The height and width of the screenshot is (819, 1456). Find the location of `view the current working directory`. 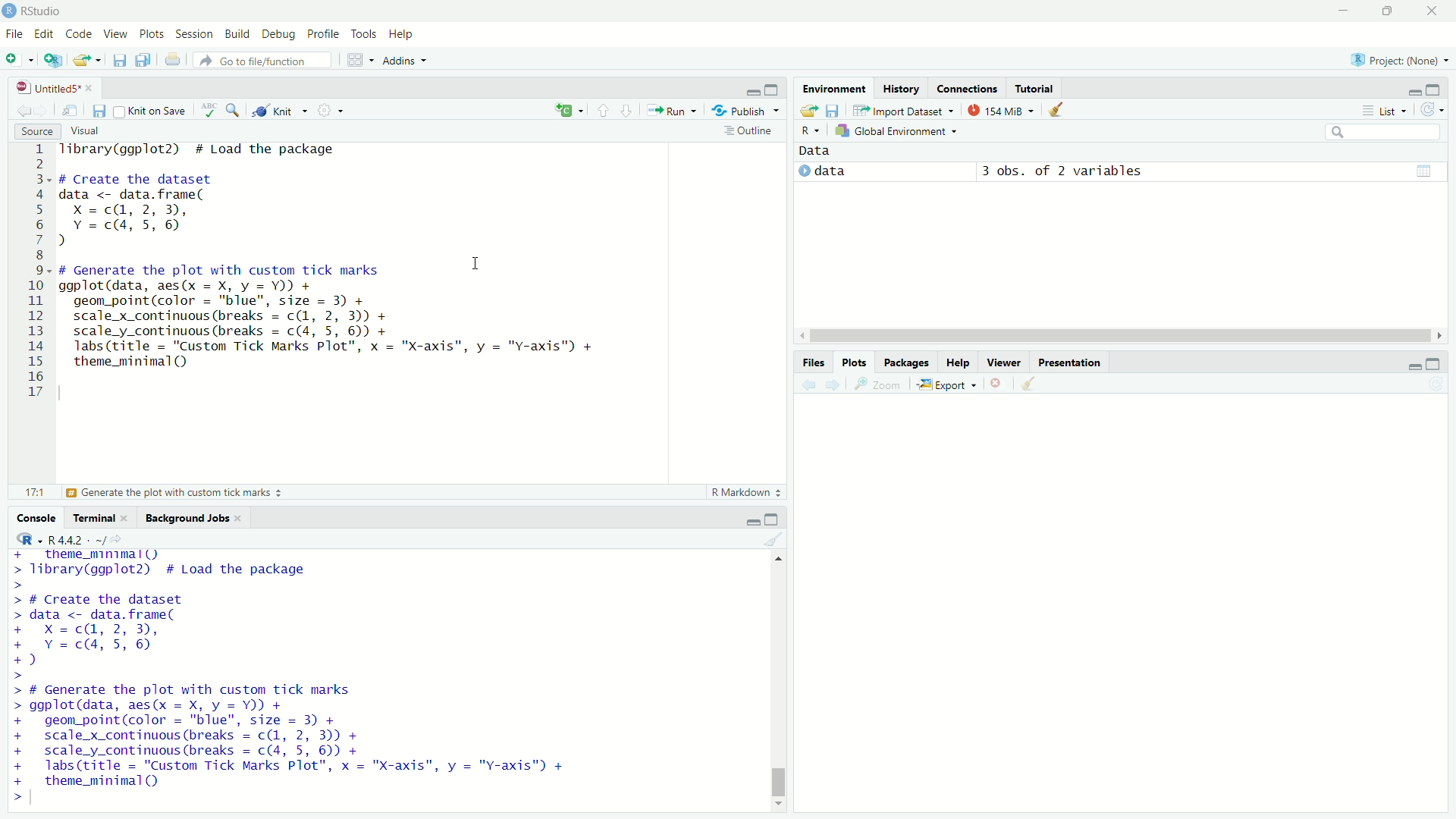

view the current working directory is located at coordinates (127, 538).